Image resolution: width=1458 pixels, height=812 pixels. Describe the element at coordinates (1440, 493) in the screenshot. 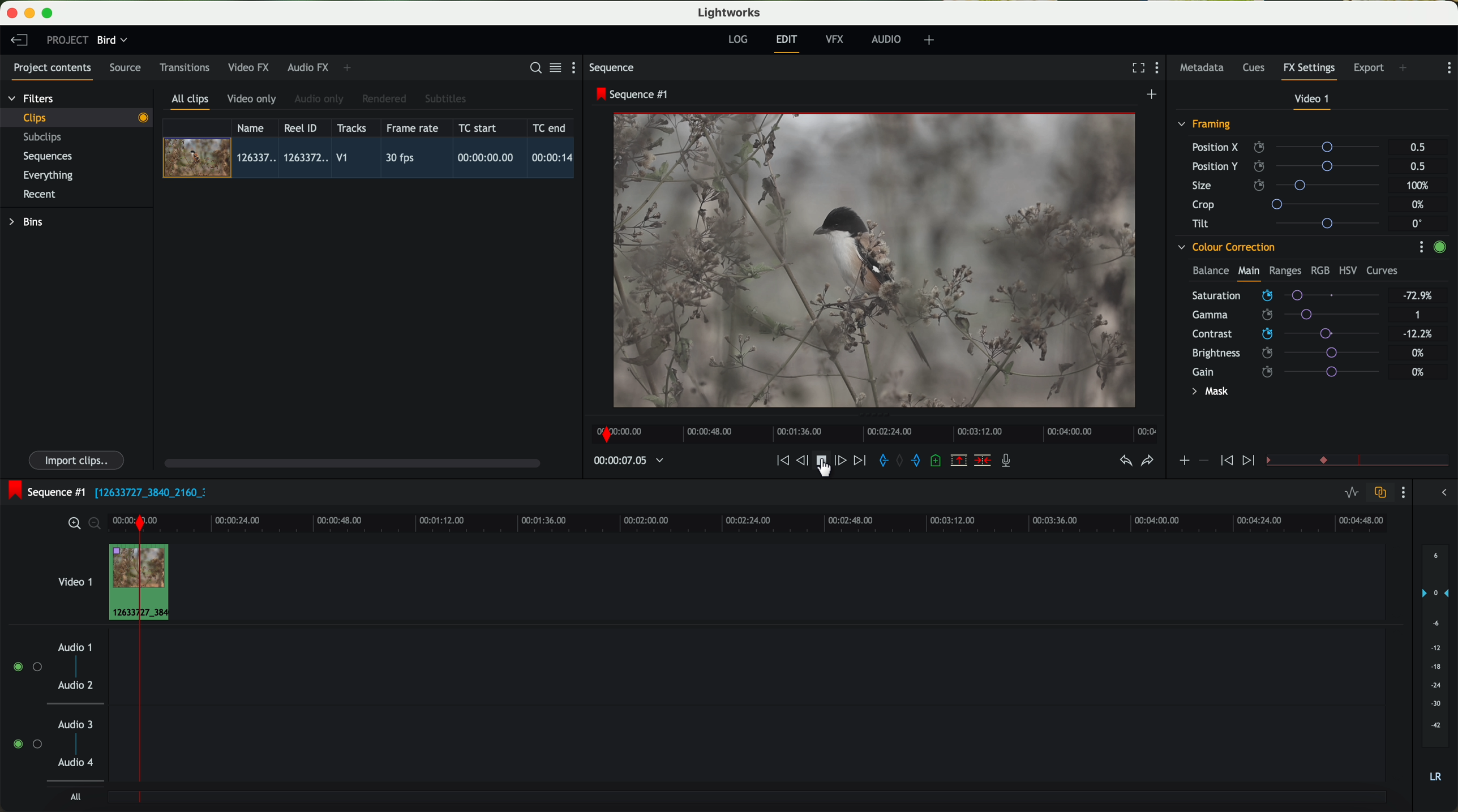

I see `show/hide the full audio mix` at that location.